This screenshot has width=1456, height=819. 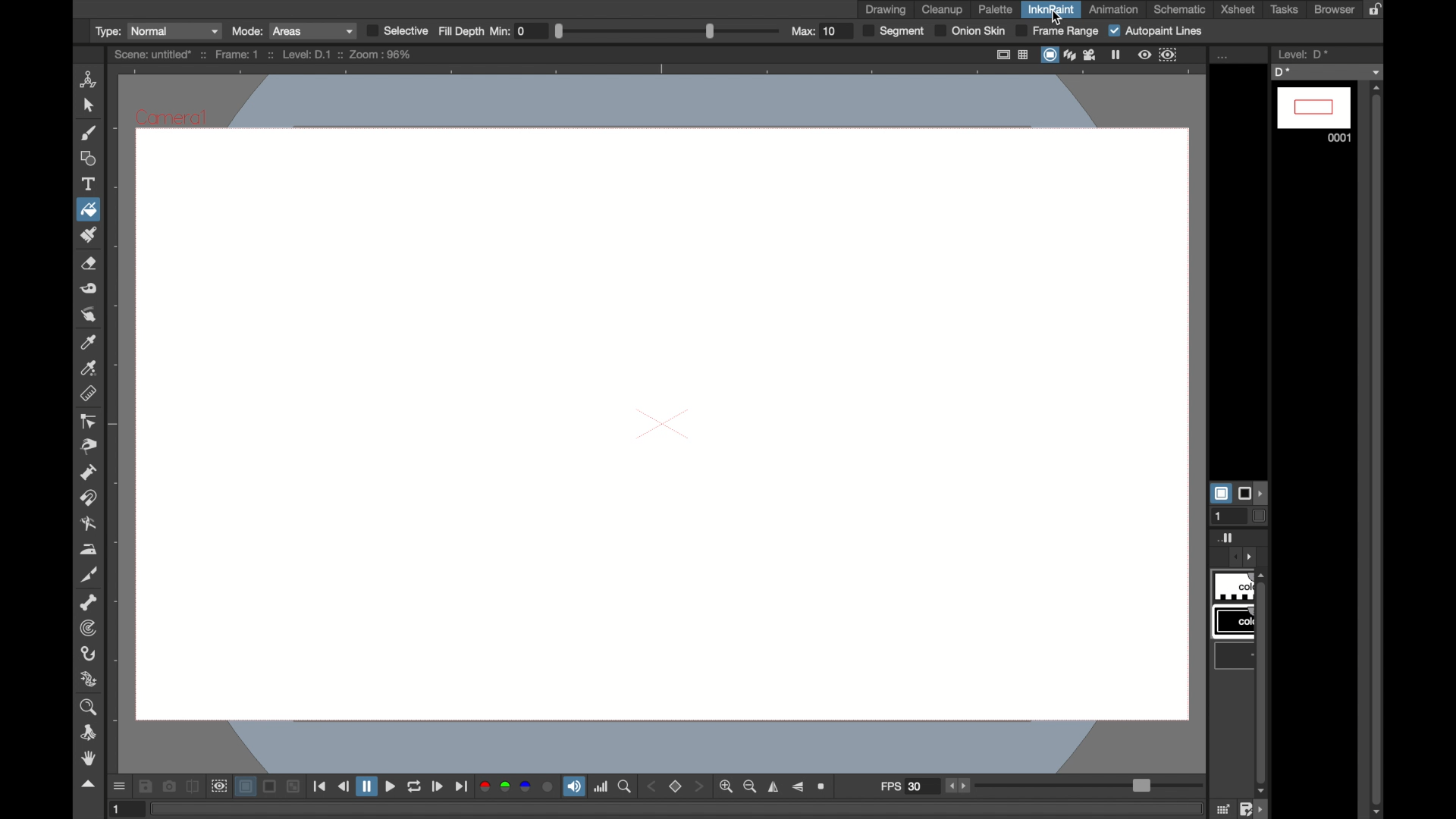 What do you see at coordinates (701, 787) in the screenshot?
I see `front` at bounding box center [701, 787].